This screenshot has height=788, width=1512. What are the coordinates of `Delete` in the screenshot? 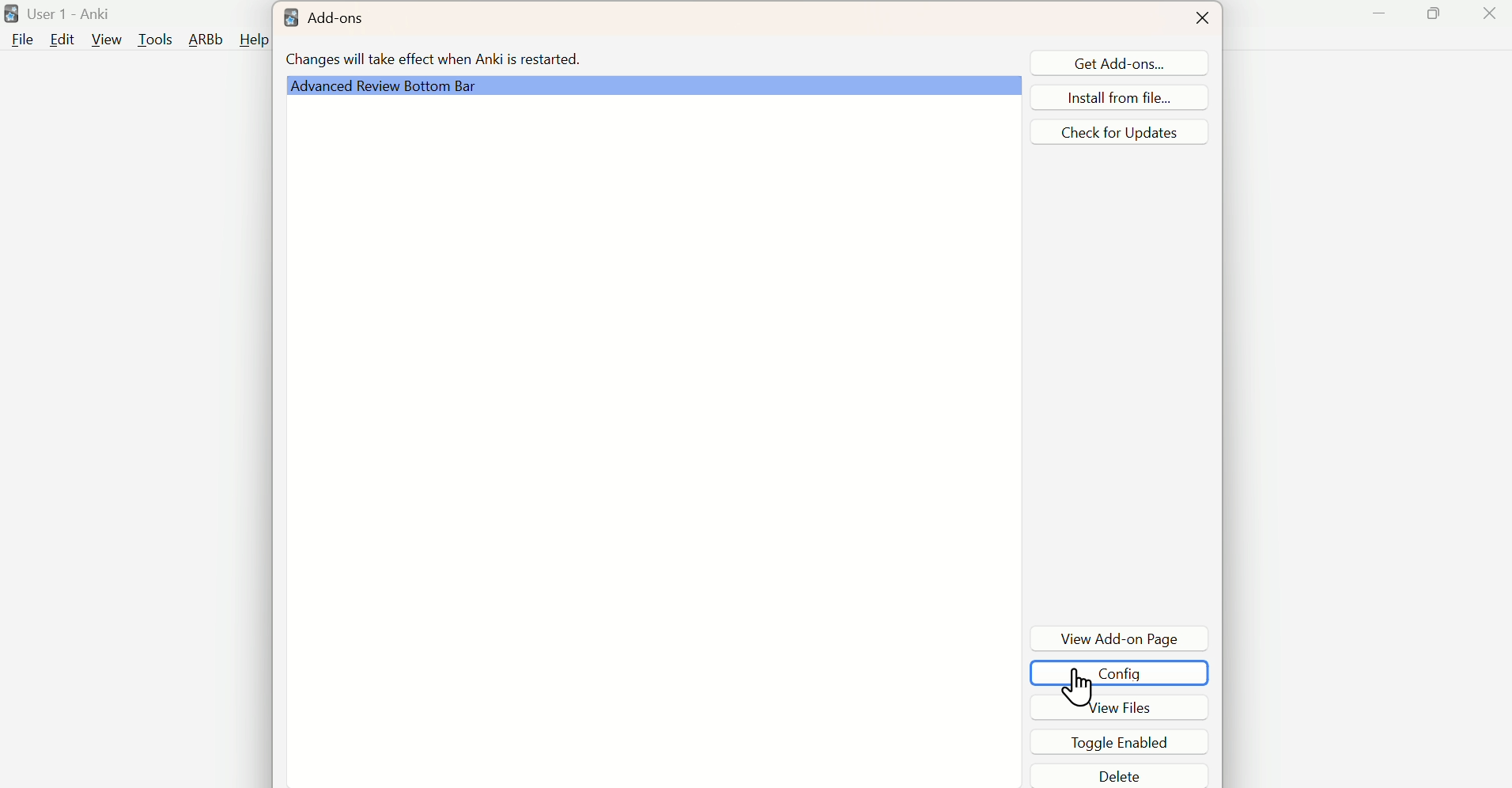 It's located at (1120, 777).